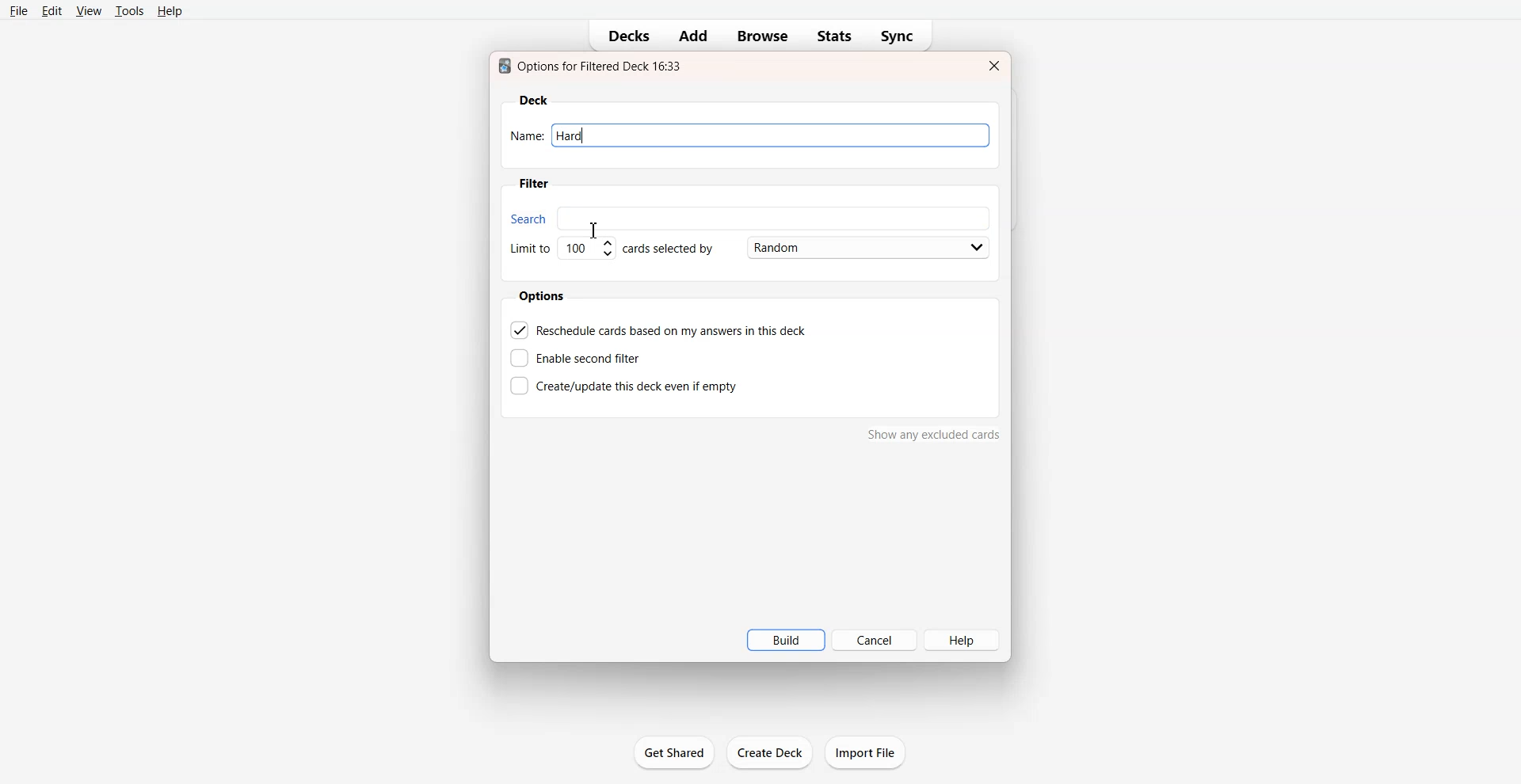  I want to click on Text Cursor, so click(595, 231).